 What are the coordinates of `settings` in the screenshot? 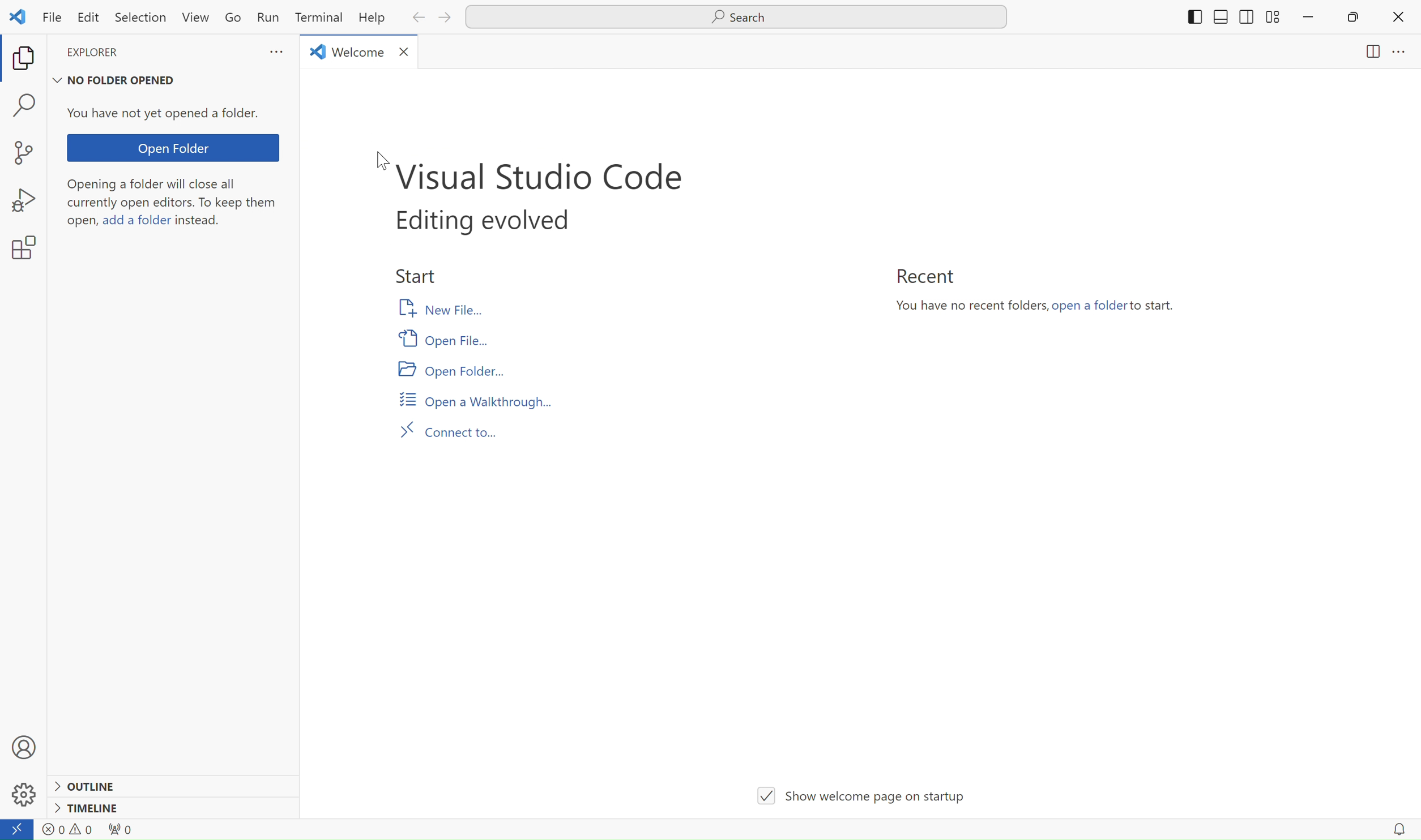 It's located at (32, 247).